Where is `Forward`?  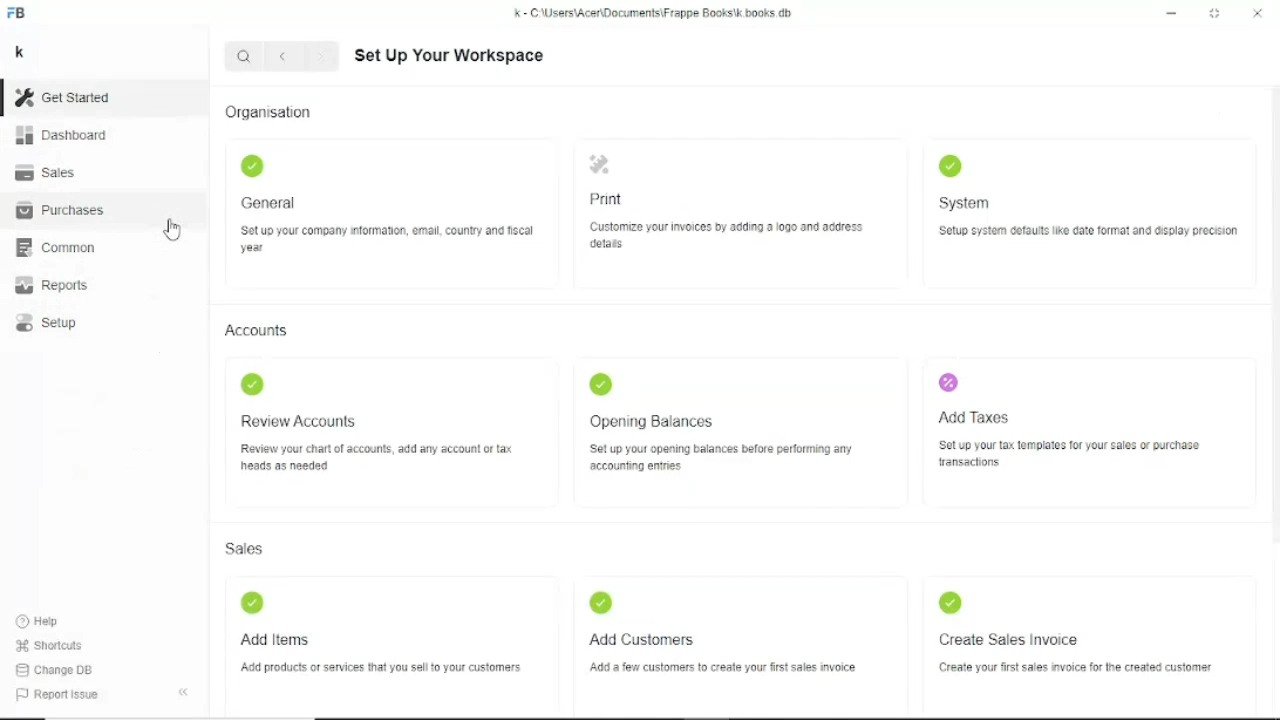
Forward is located at coordinates (322, 55).